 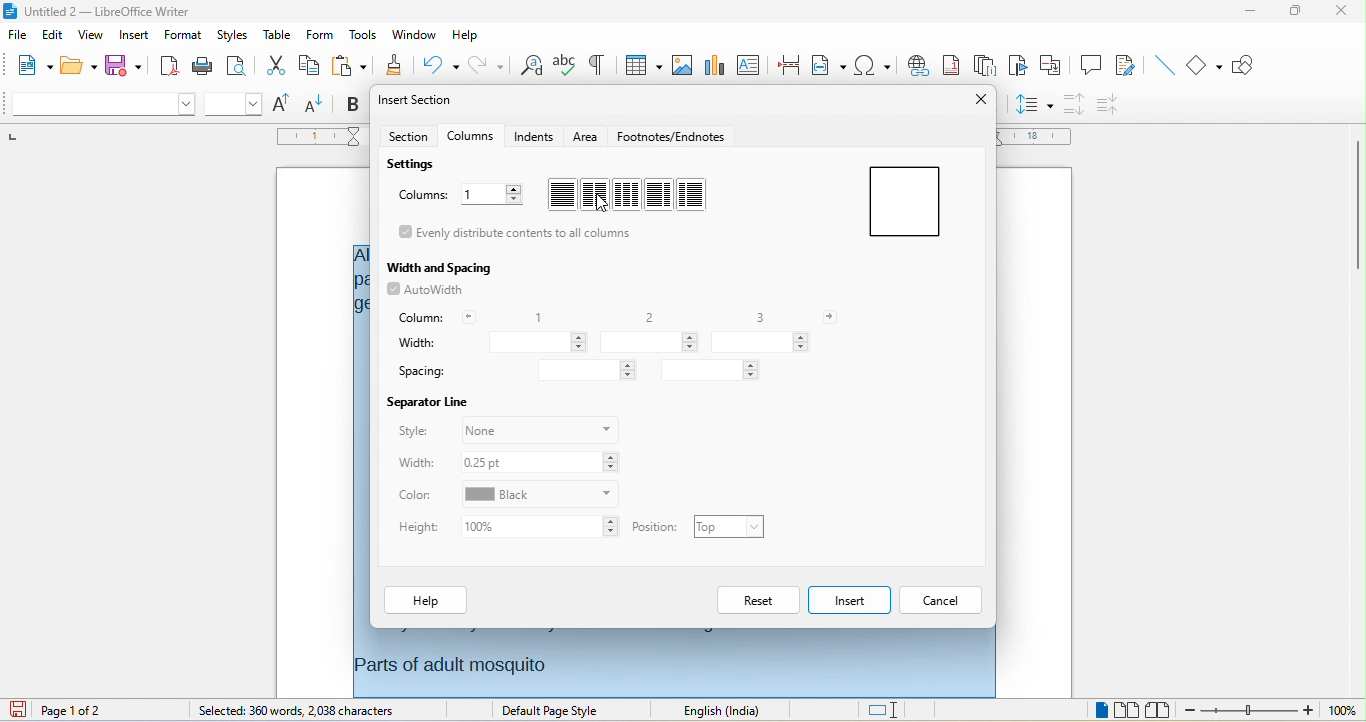 I want to click on insert section, so click(x=420, y=100).